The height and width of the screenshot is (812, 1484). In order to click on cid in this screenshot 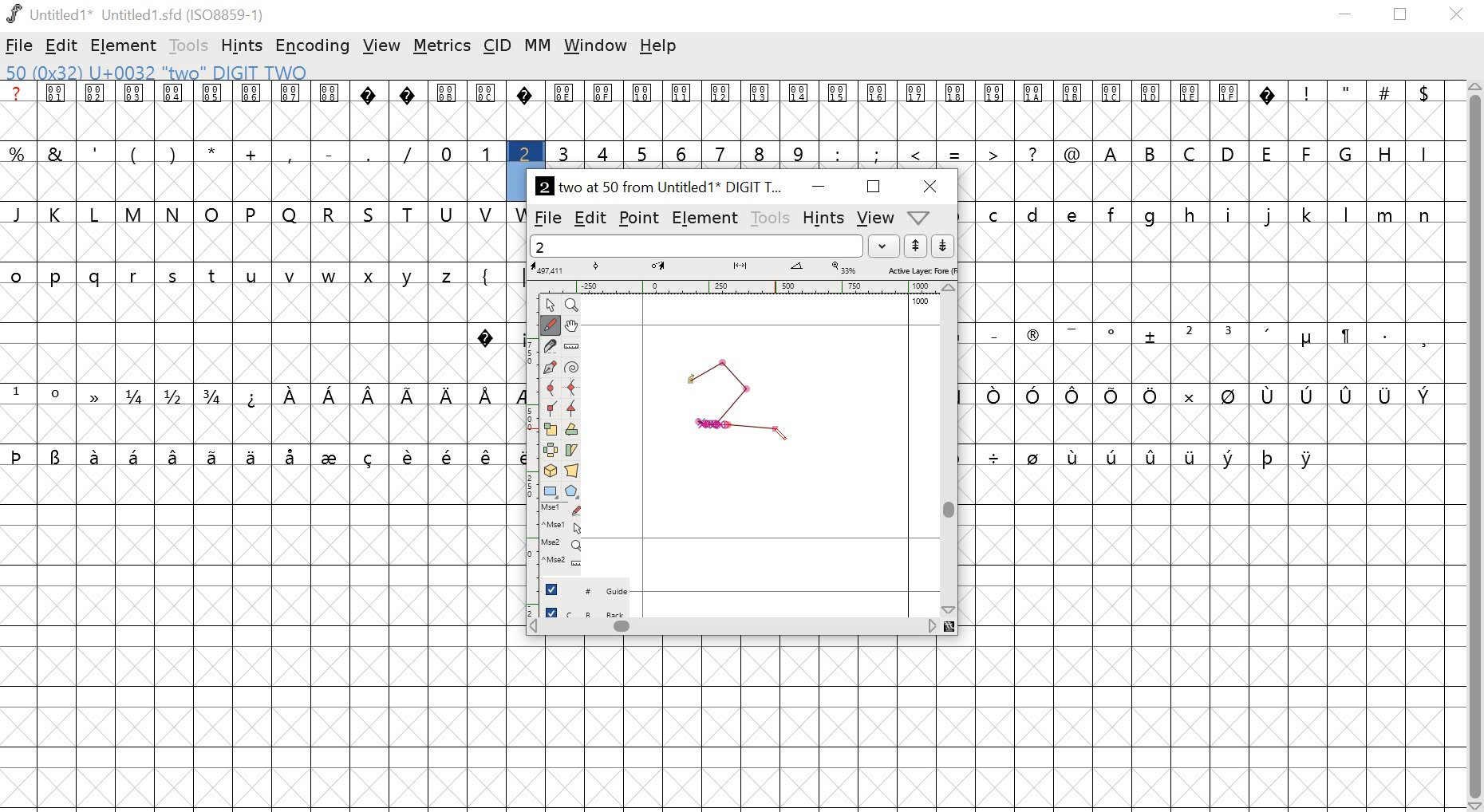, I will do `click(496, 45)`.